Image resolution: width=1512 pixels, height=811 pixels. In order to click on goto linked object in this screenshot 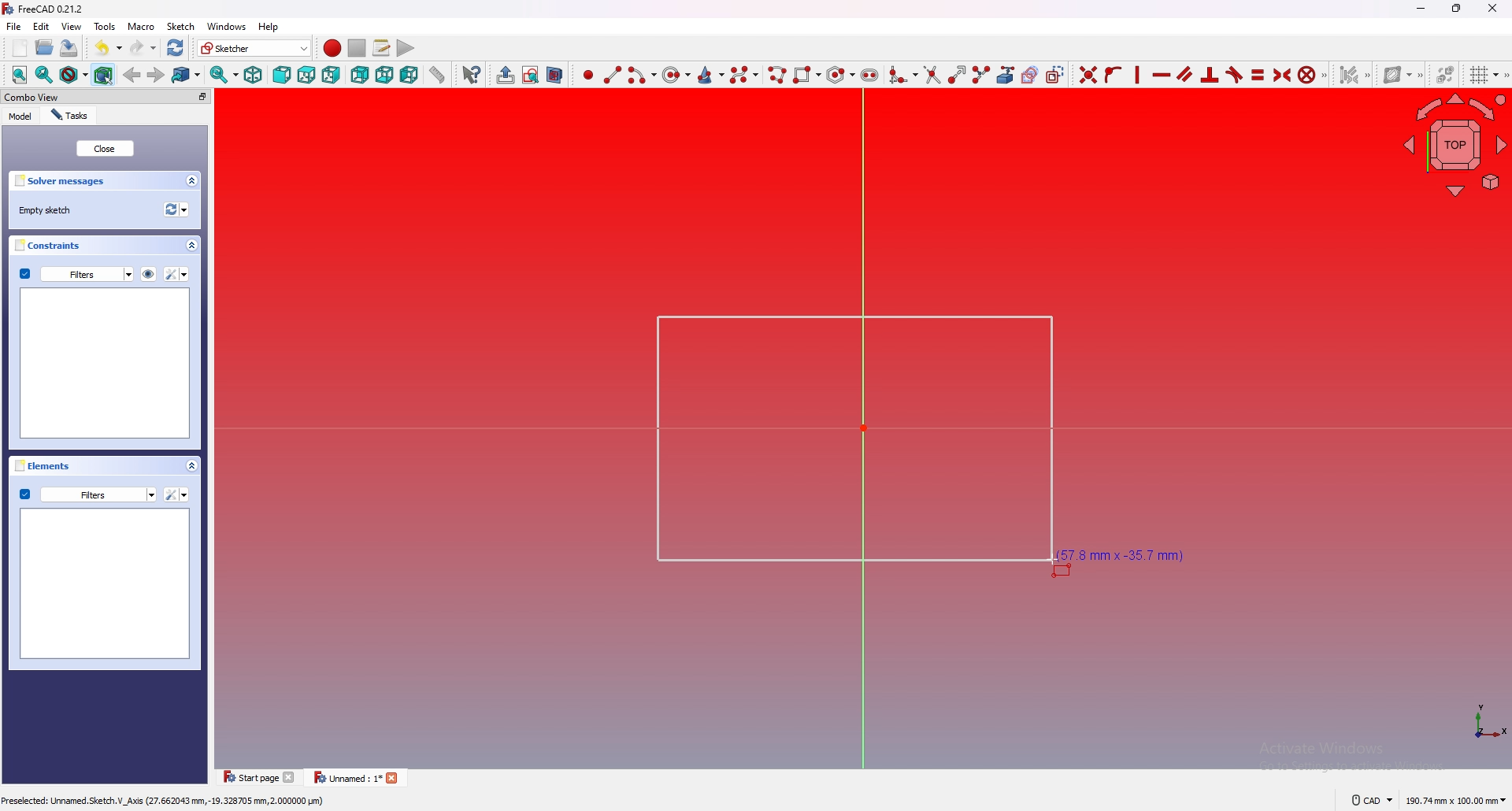, I will do `click(187, 75)`.